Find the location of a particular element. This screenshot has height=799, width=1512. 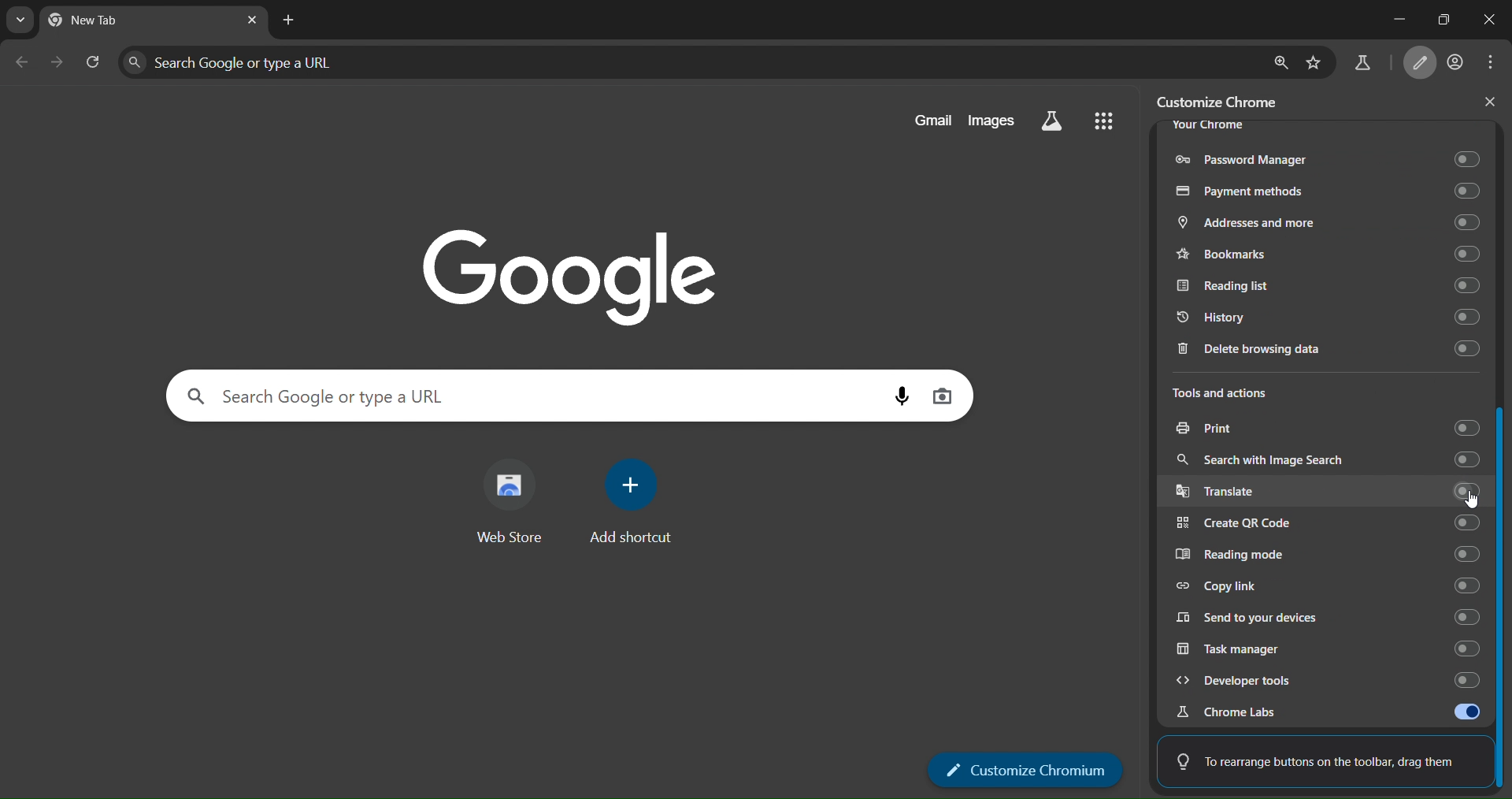

menu is located at coordinates (1104, 123).